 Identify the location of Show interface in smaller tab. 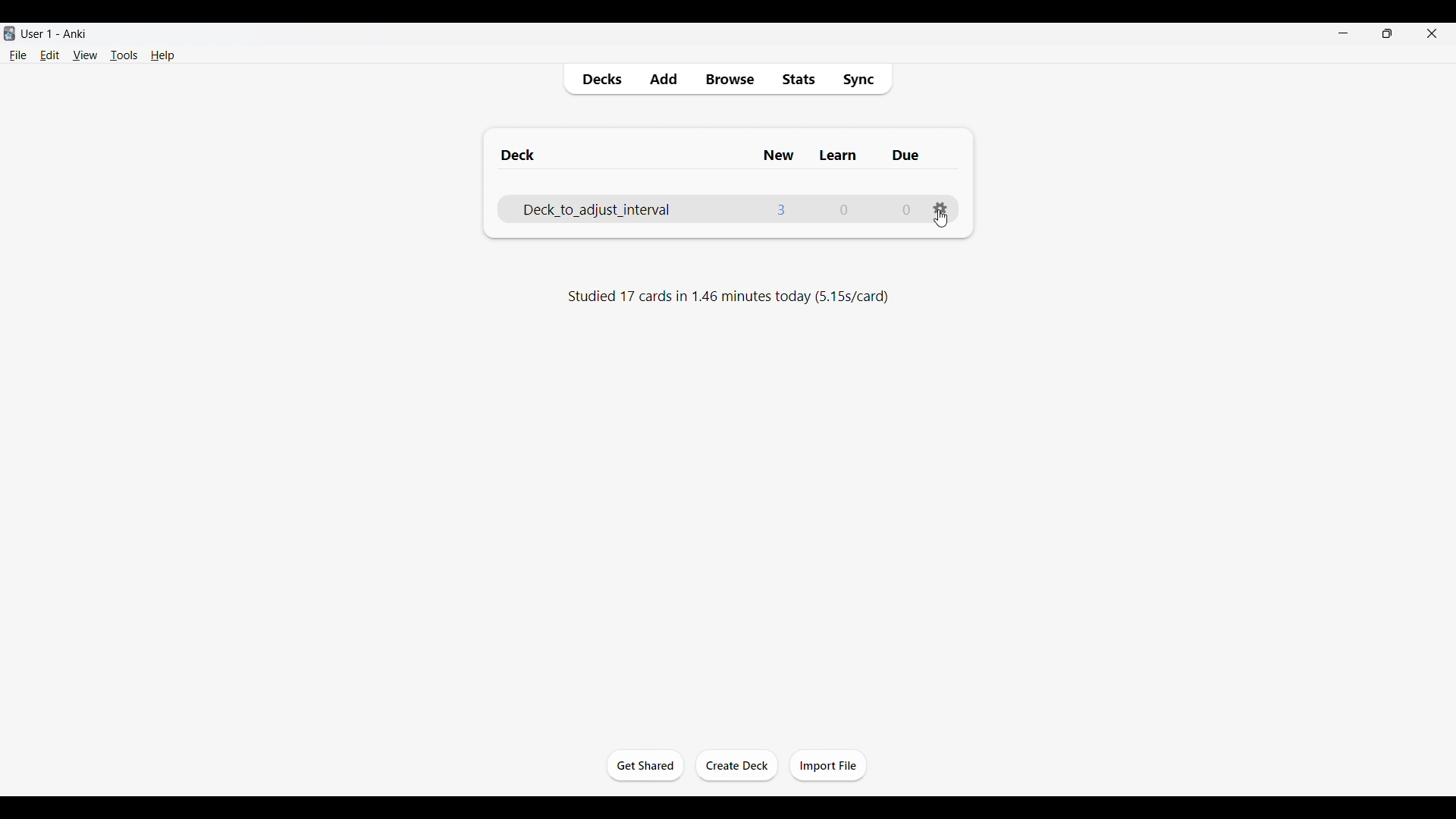
(1388, 33).